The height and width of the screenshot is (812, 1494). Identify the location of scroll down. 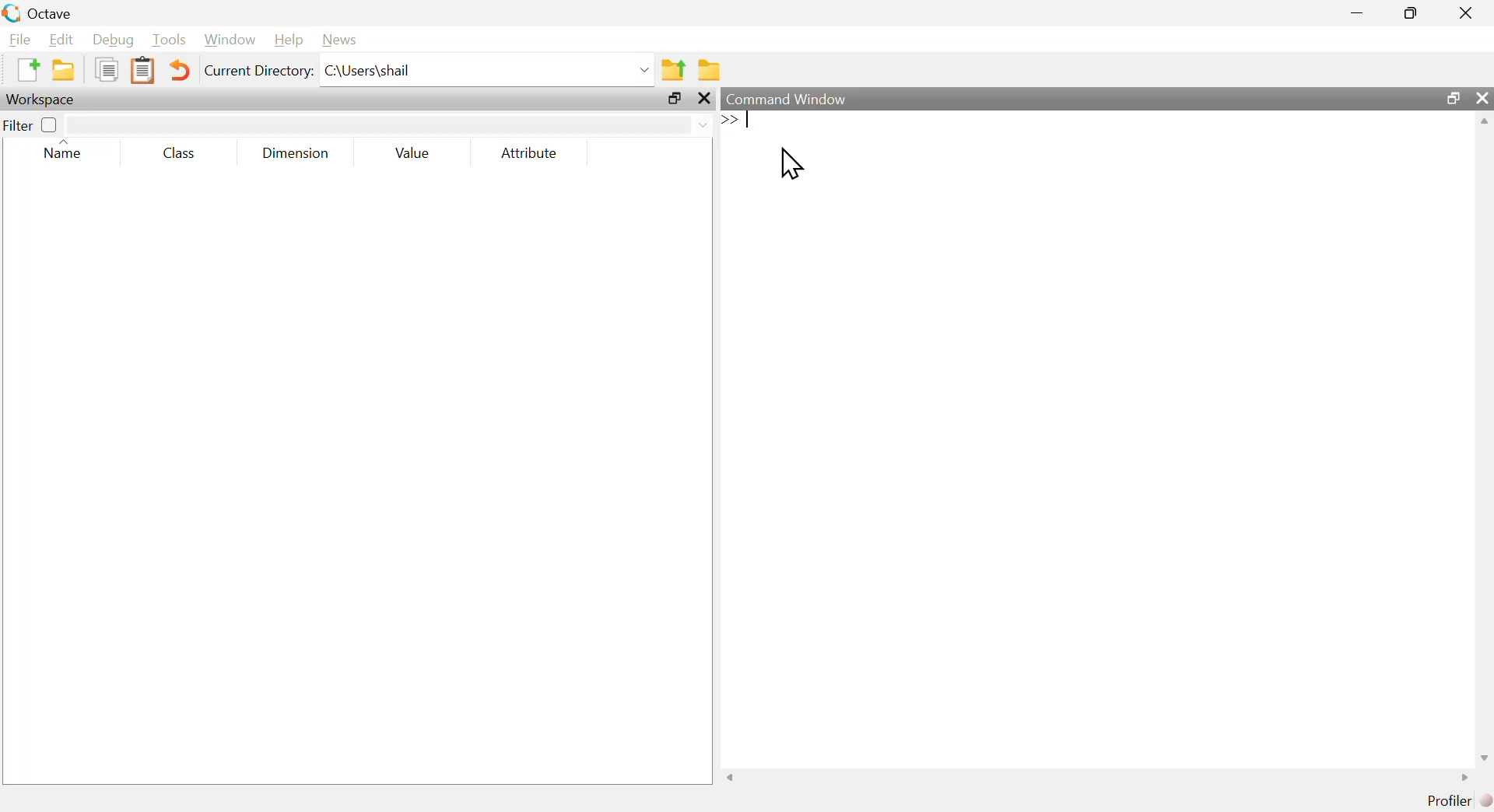
(1483, 758).